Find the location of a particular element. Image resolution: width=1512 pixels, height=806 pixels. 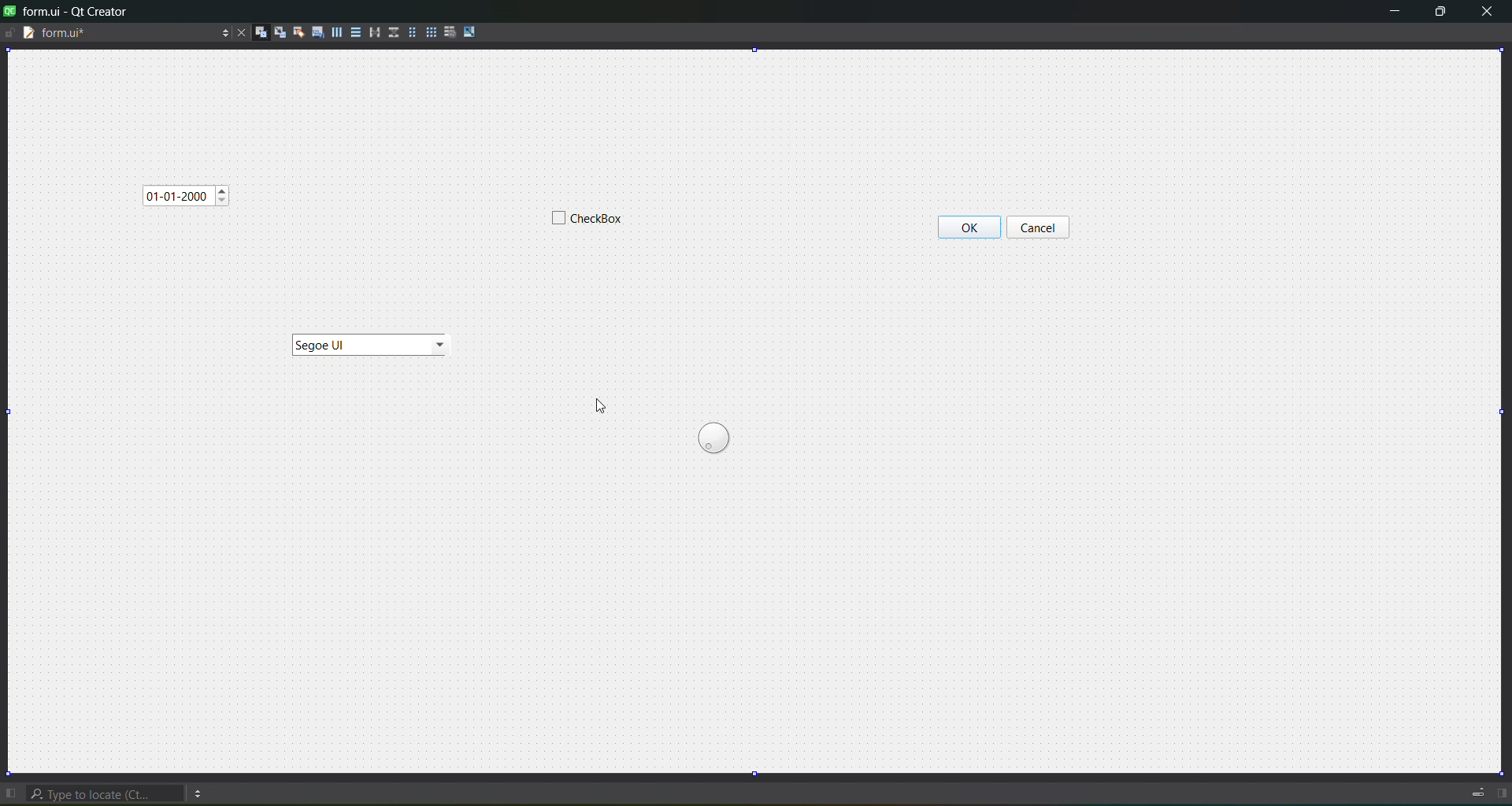

object is located at coordinates (713, 441).